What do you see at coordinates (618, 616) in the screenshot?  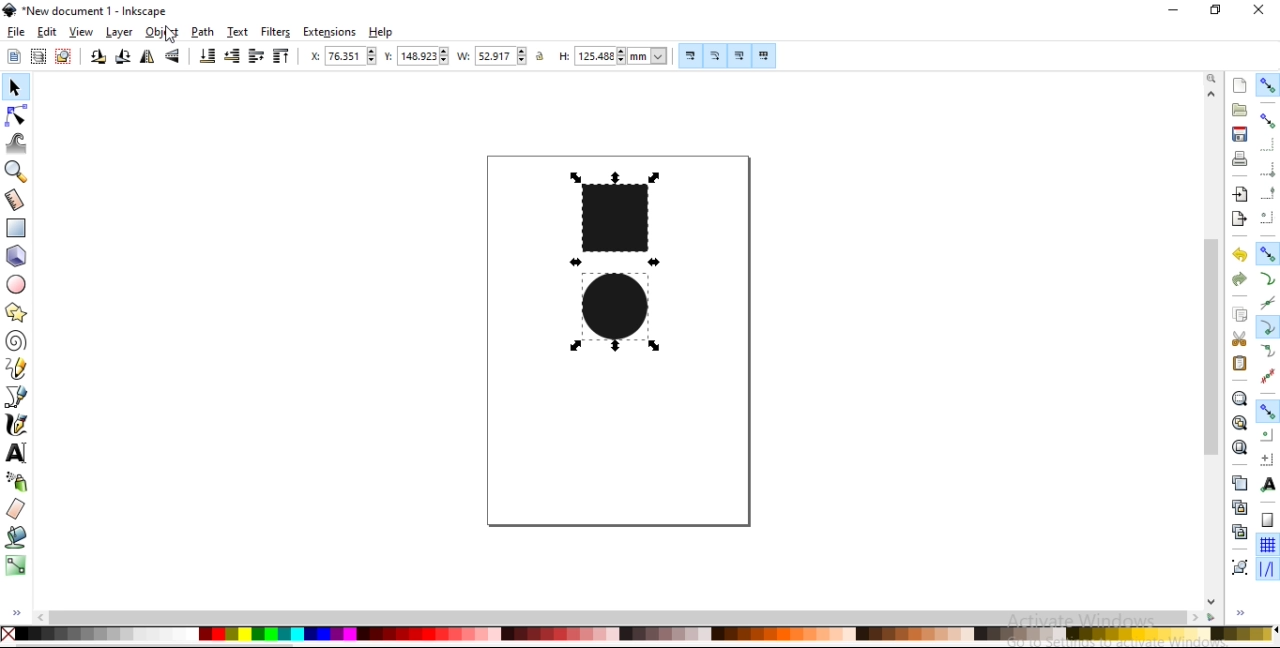 I see `scrollbar` at bounding box center [618, 616].